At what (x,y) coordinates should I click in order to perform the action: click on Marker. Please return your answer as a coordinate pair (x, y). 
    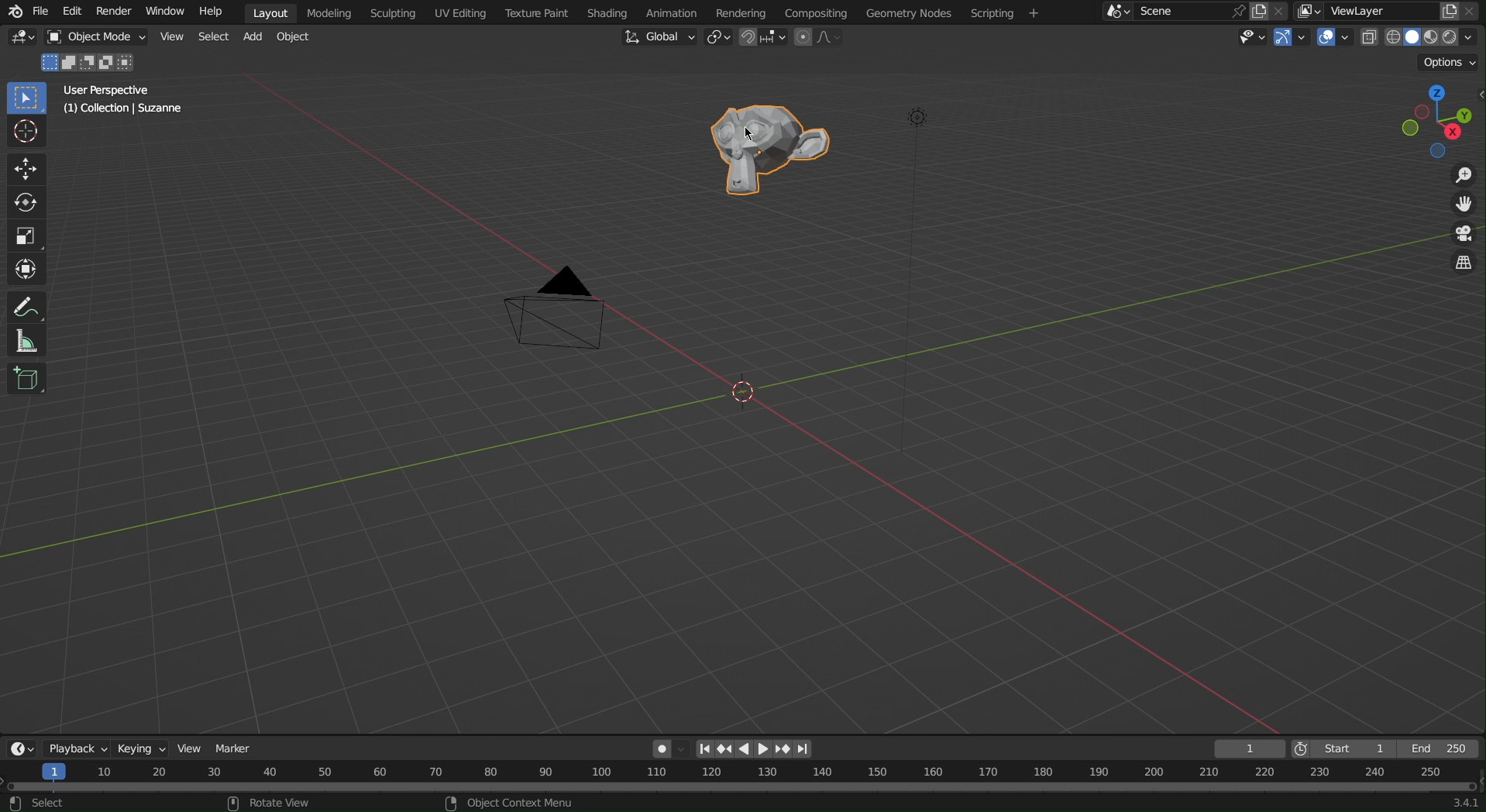
    Looking at the image, I should click on (235, 749).